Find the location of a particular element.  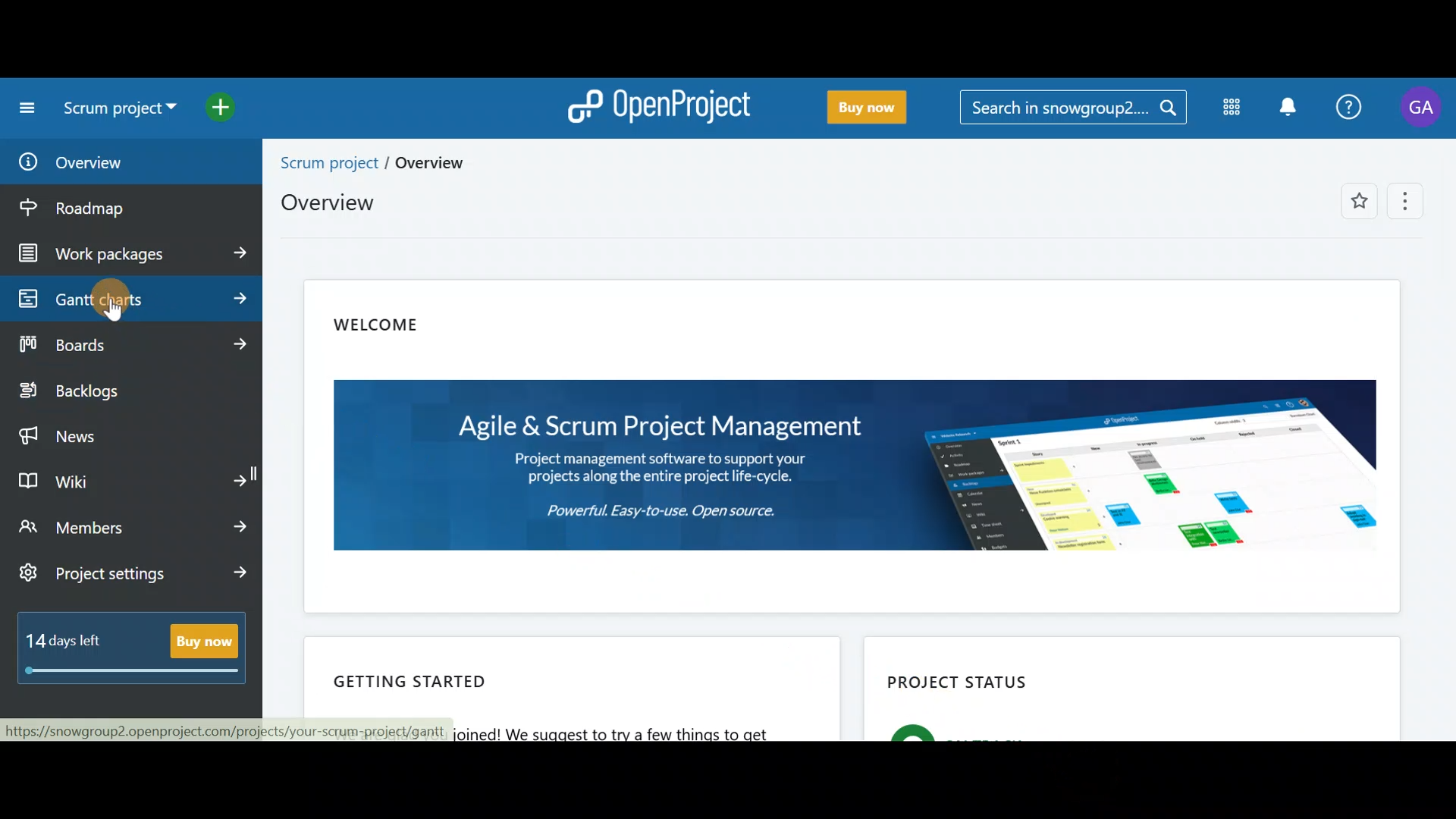

Wiki is located at coordinates (133, 488).